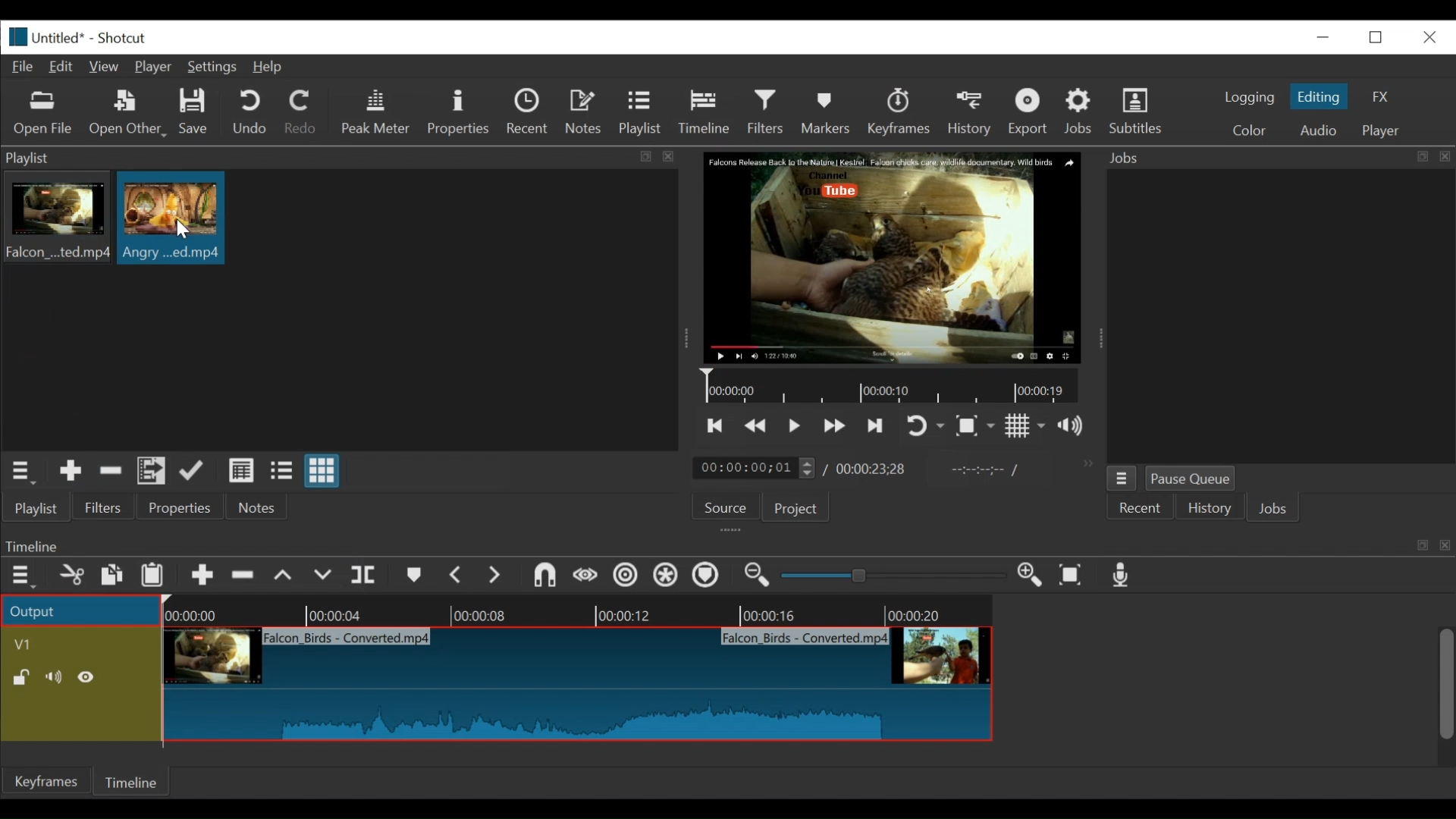 The image size is (1456, 819). I want to click on Jobs menu, so click(1269, 156).